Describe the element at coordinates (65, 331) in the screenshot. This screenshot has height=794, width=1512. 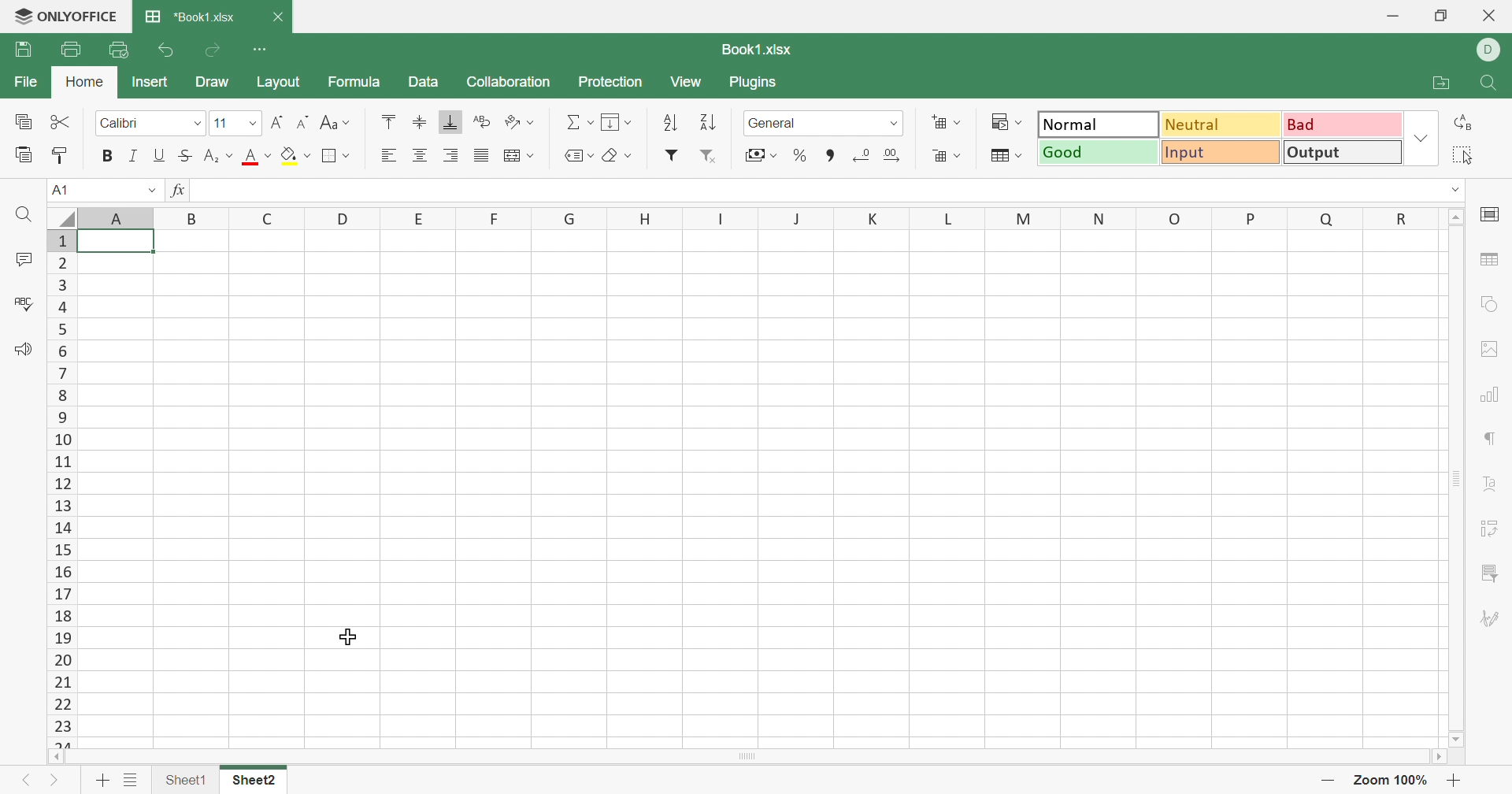
I see `5` at that location.